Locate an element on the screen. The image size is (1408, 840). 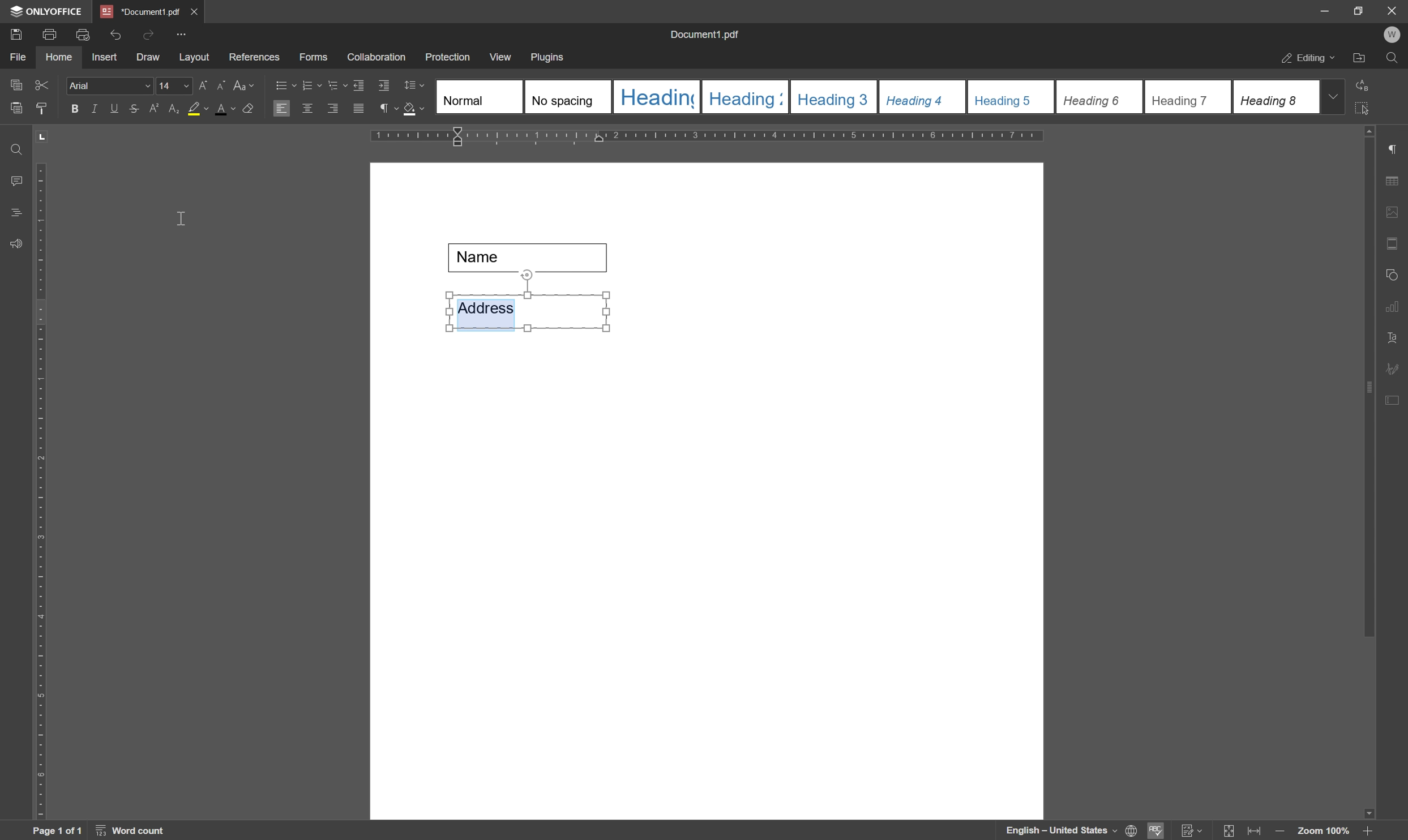
underline is located at coordinates (114, 108).